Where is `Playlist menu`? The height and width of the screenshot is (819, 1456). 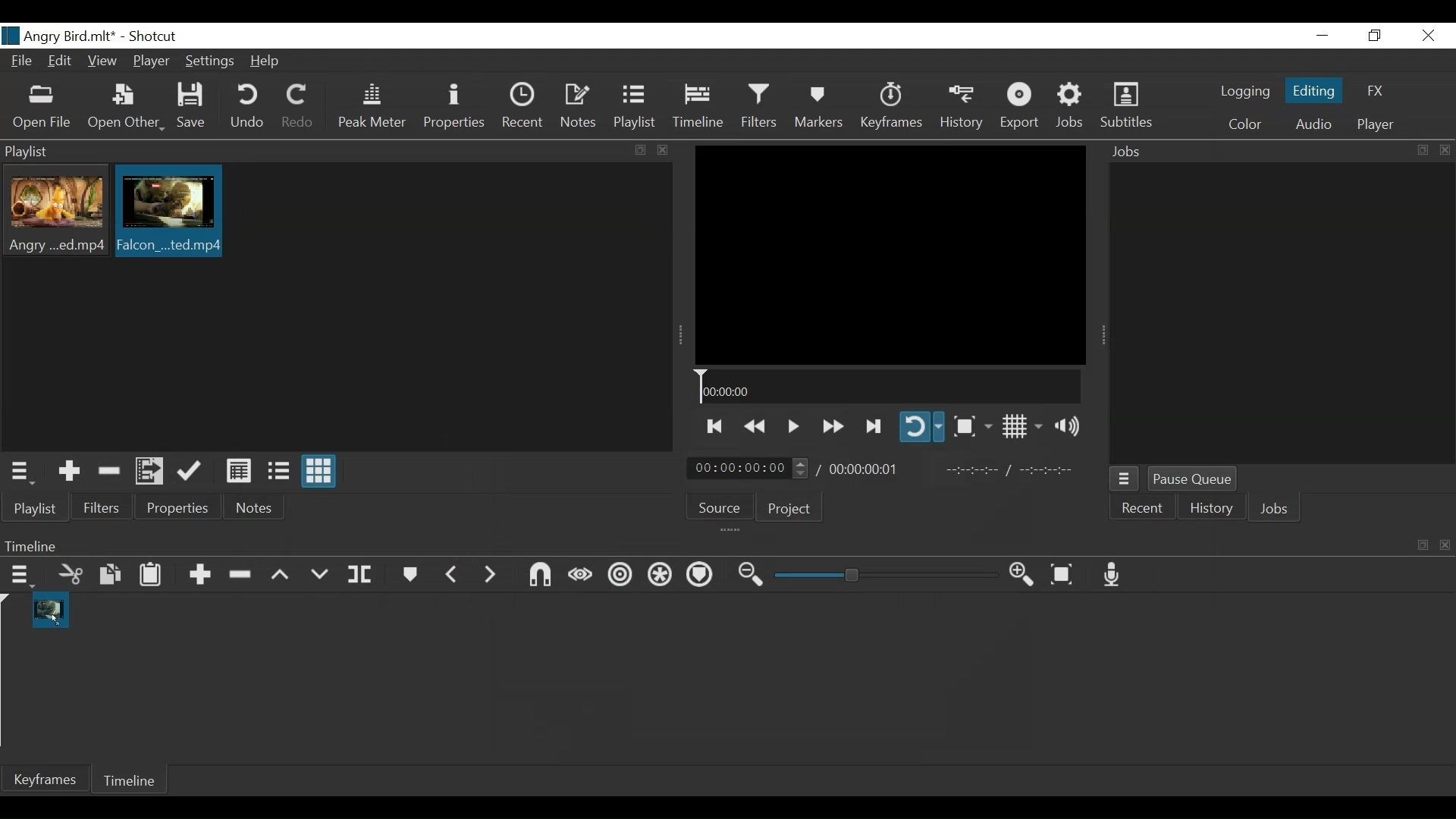
Playlist menu is located at coordinates (24, 472).